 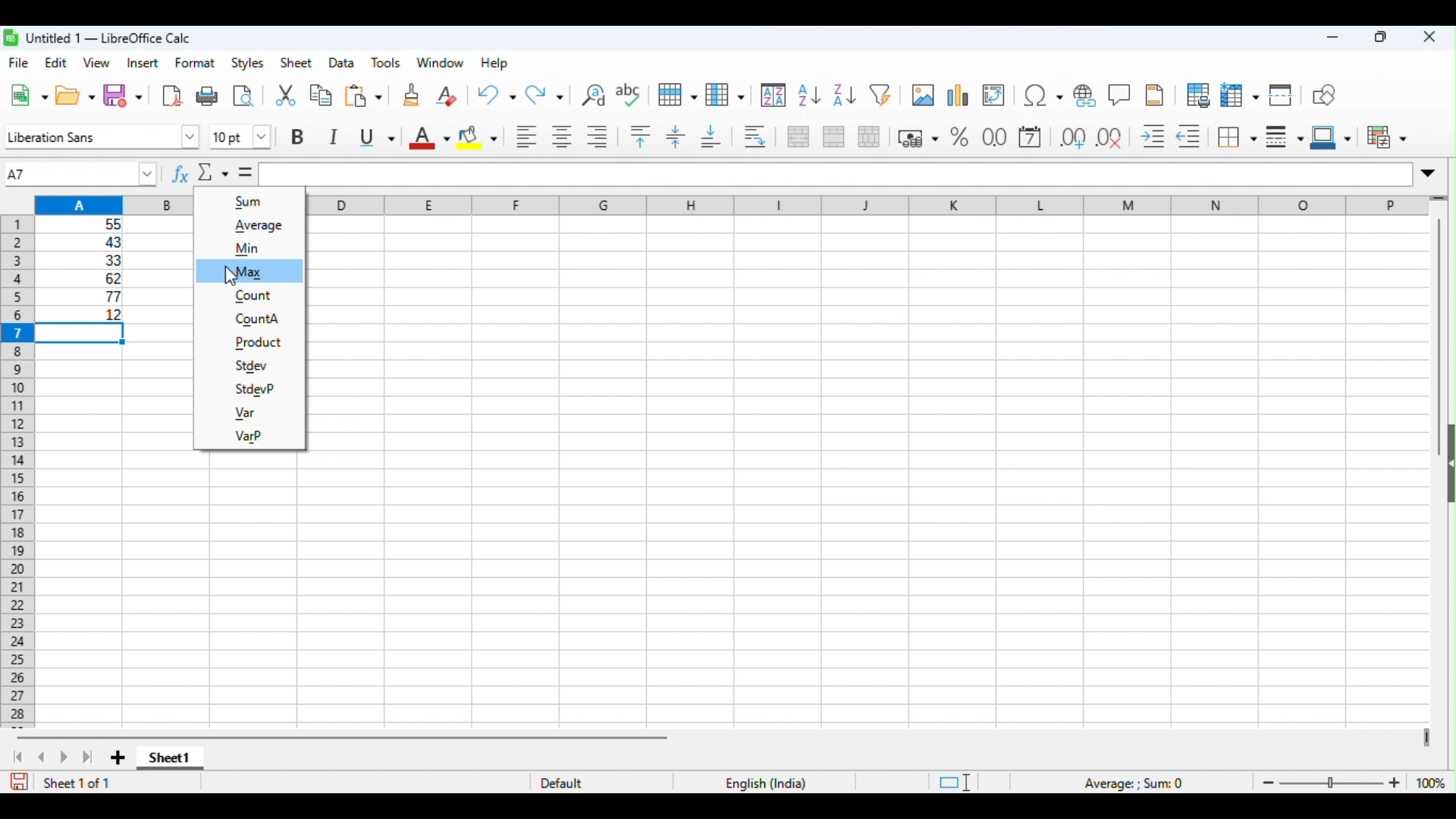 I want to click on first sheet, so click(x=17, y=757).